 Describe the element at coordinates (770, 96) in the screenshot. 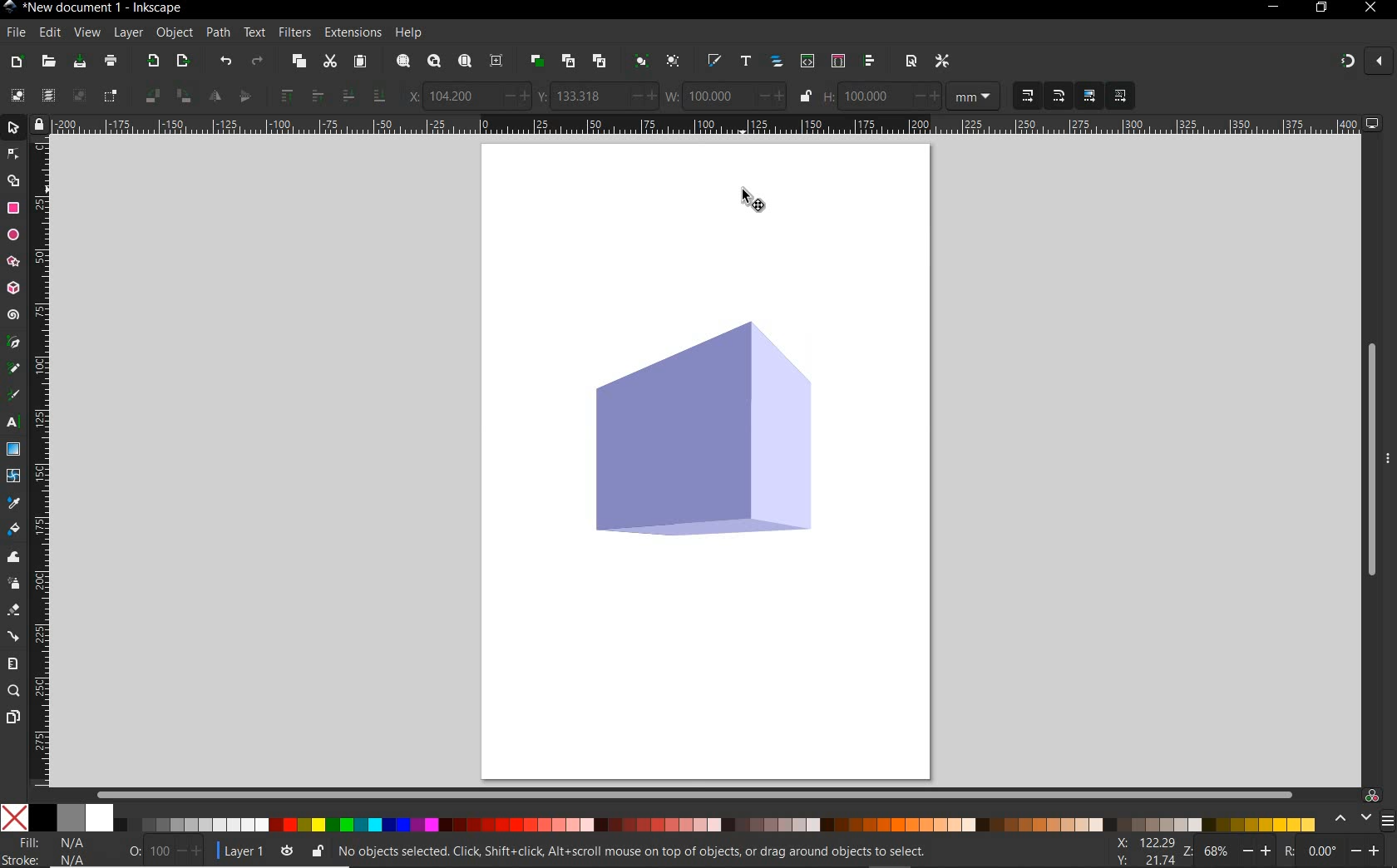

I see `increase/decrease` at that location.